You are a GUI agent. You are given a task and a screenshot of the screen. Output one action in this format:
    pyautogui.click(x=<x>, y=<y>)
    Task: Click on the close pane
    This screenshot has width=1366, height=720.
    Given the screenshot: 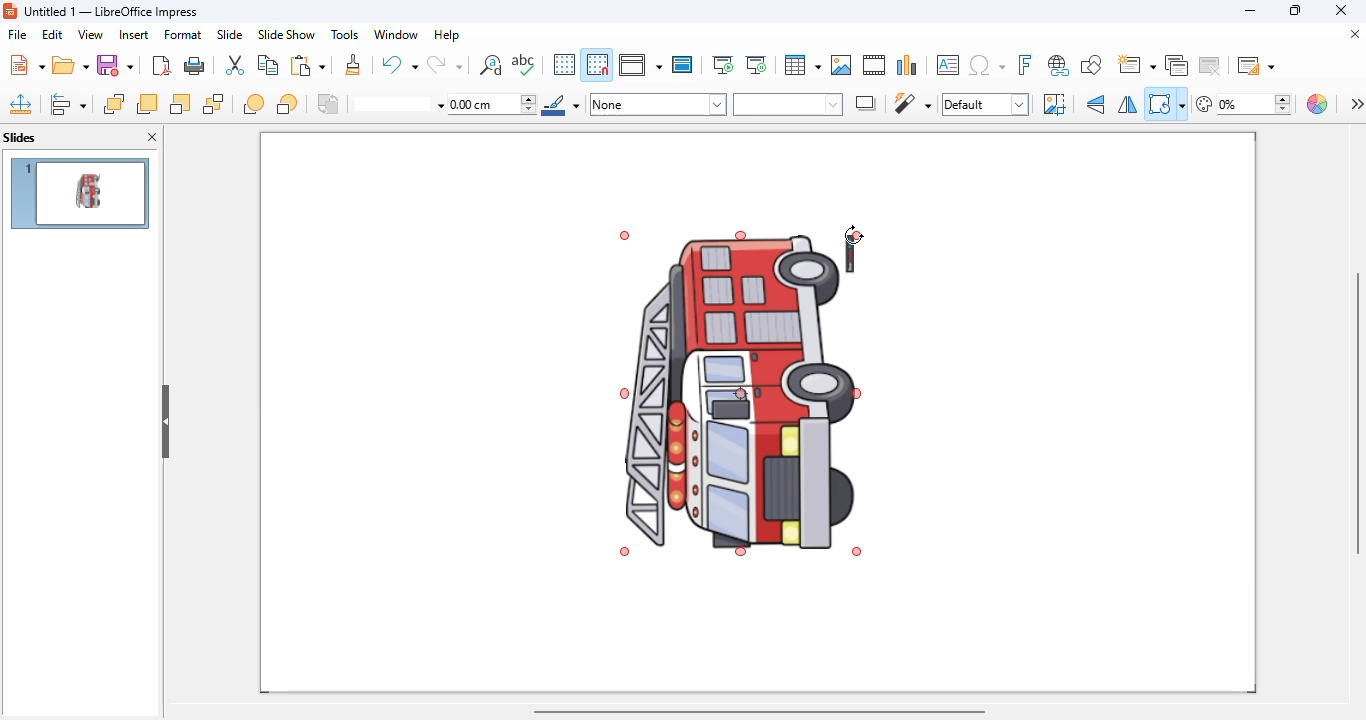 What is the action you would take?
    pyautogui.click(x=152, y=137)
    